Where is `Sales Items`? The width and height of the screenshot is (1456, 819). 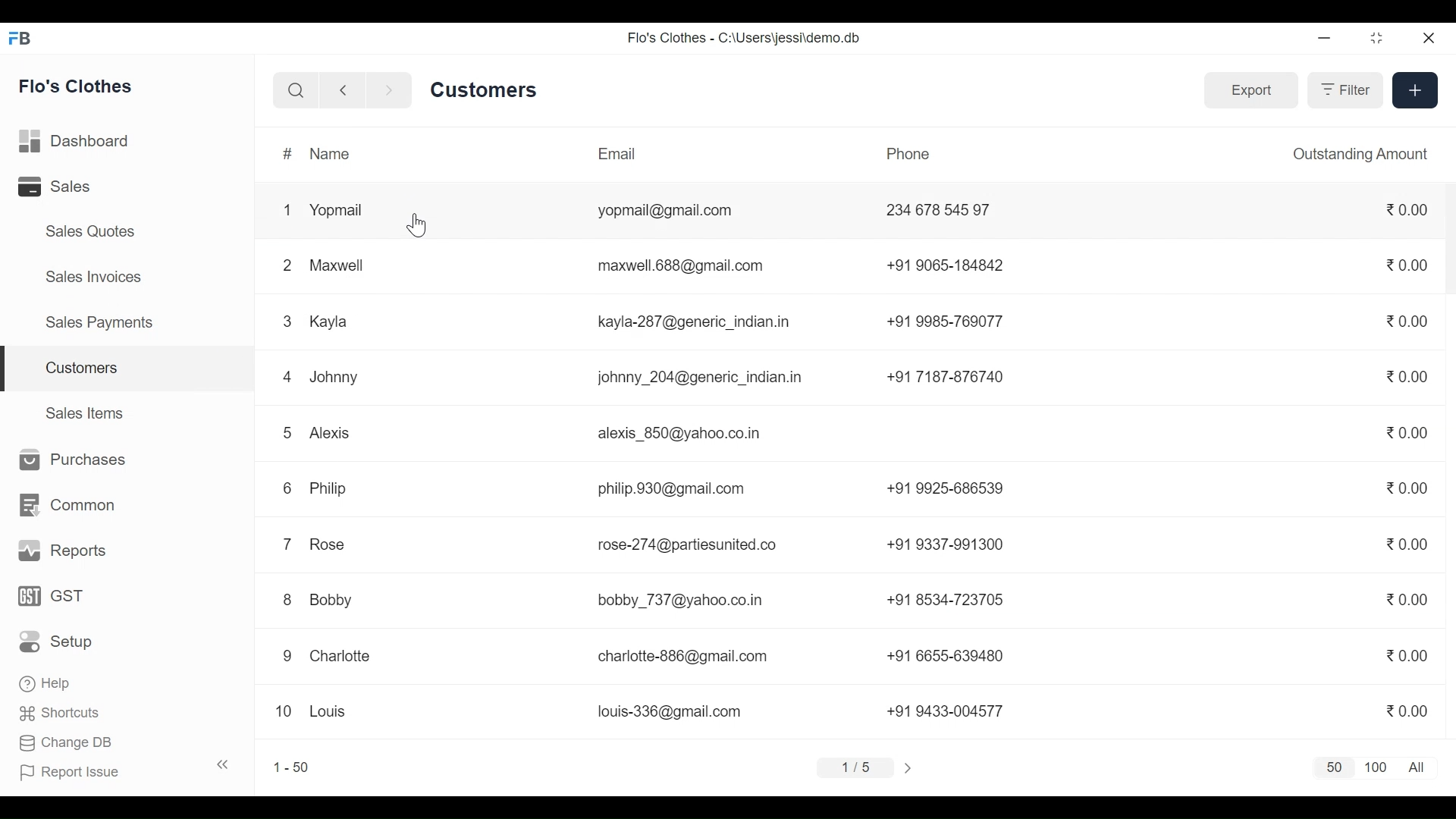 Sales Items is located at coordinates (86, 411).